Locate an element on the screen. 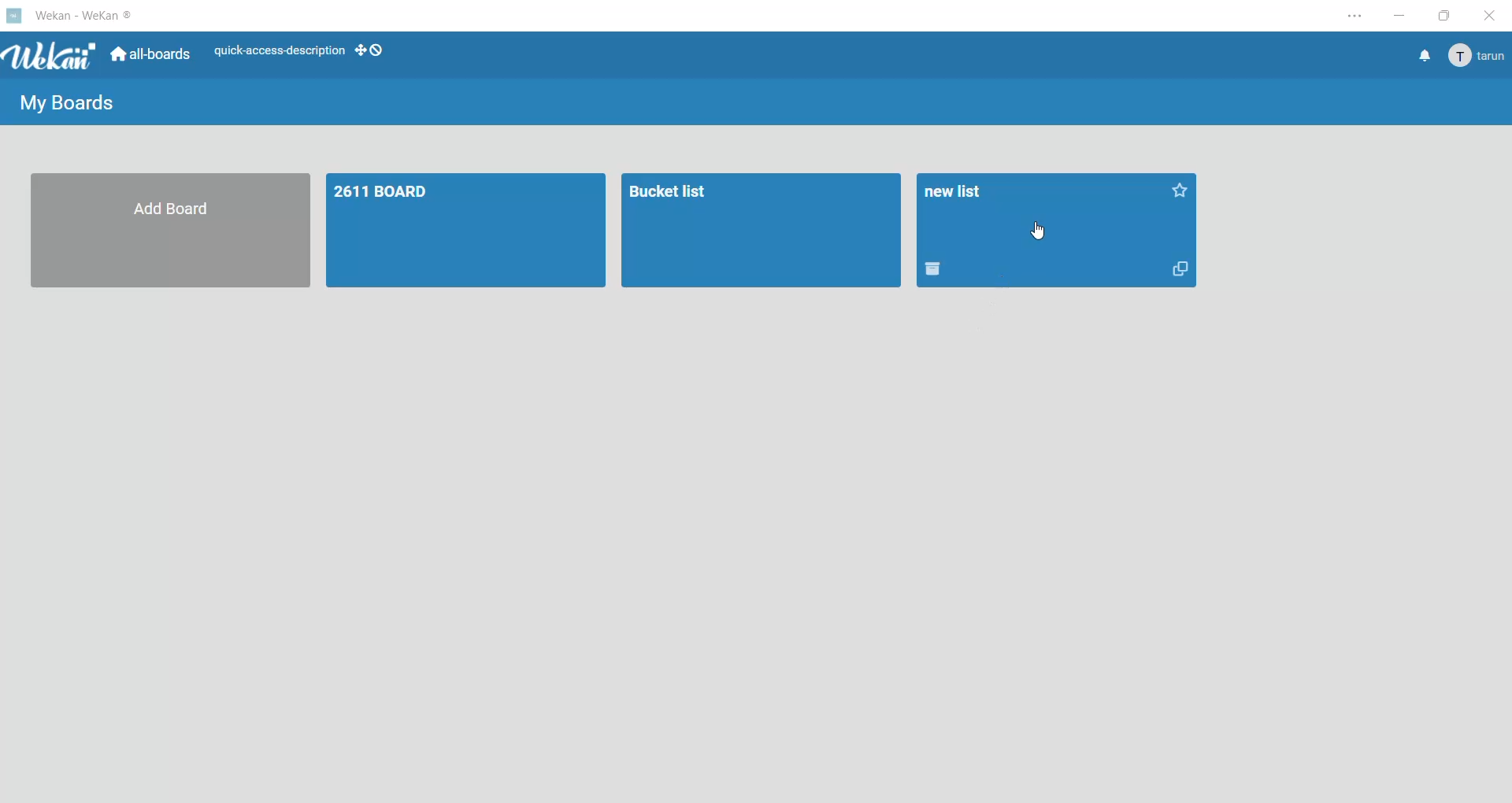 The width and height of the screenshot is (1512, 803). close is located at coordinates (1488, 16).